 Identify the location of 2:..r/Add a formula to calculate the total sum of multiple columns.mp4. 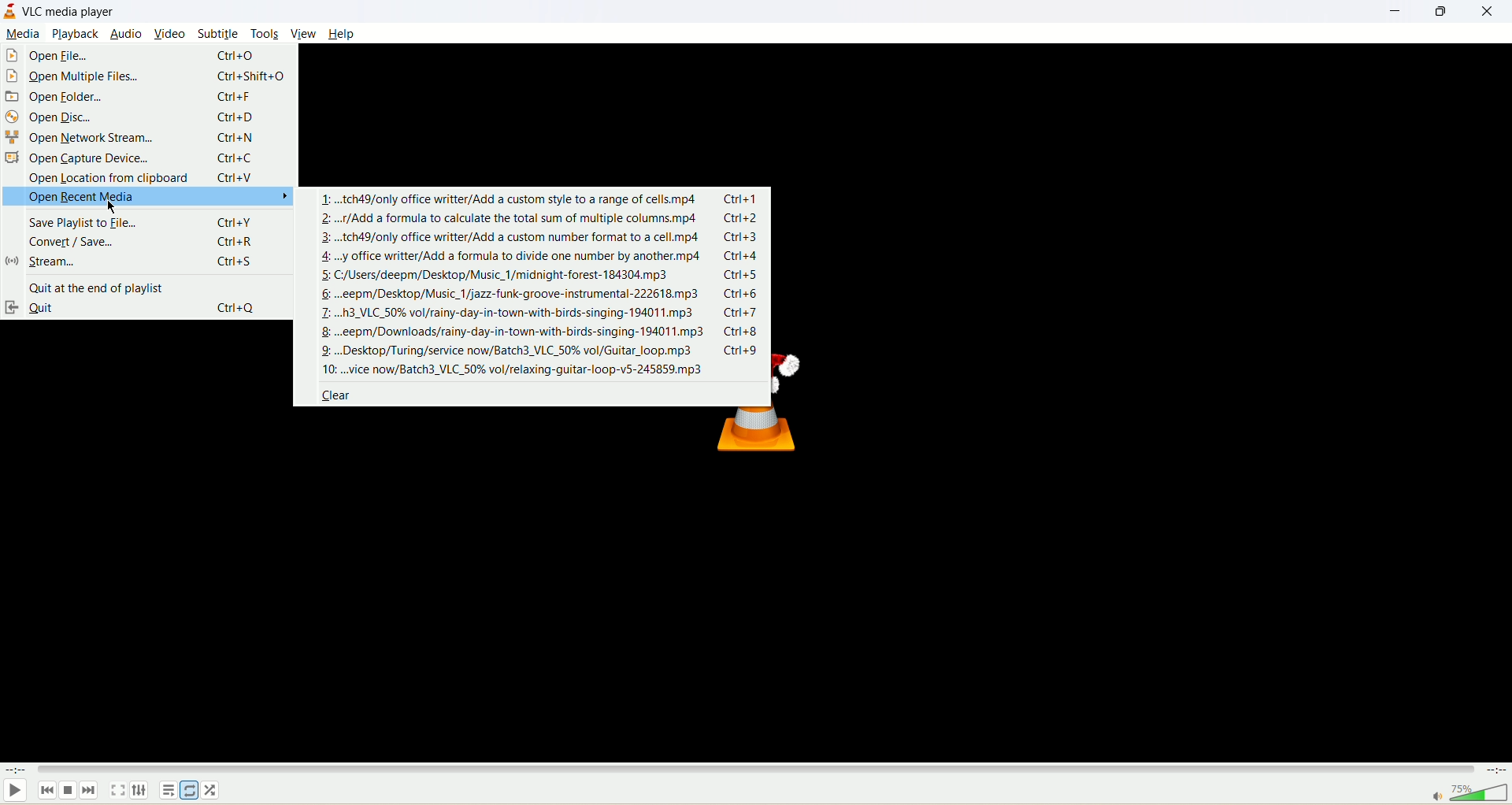
(512, 219).